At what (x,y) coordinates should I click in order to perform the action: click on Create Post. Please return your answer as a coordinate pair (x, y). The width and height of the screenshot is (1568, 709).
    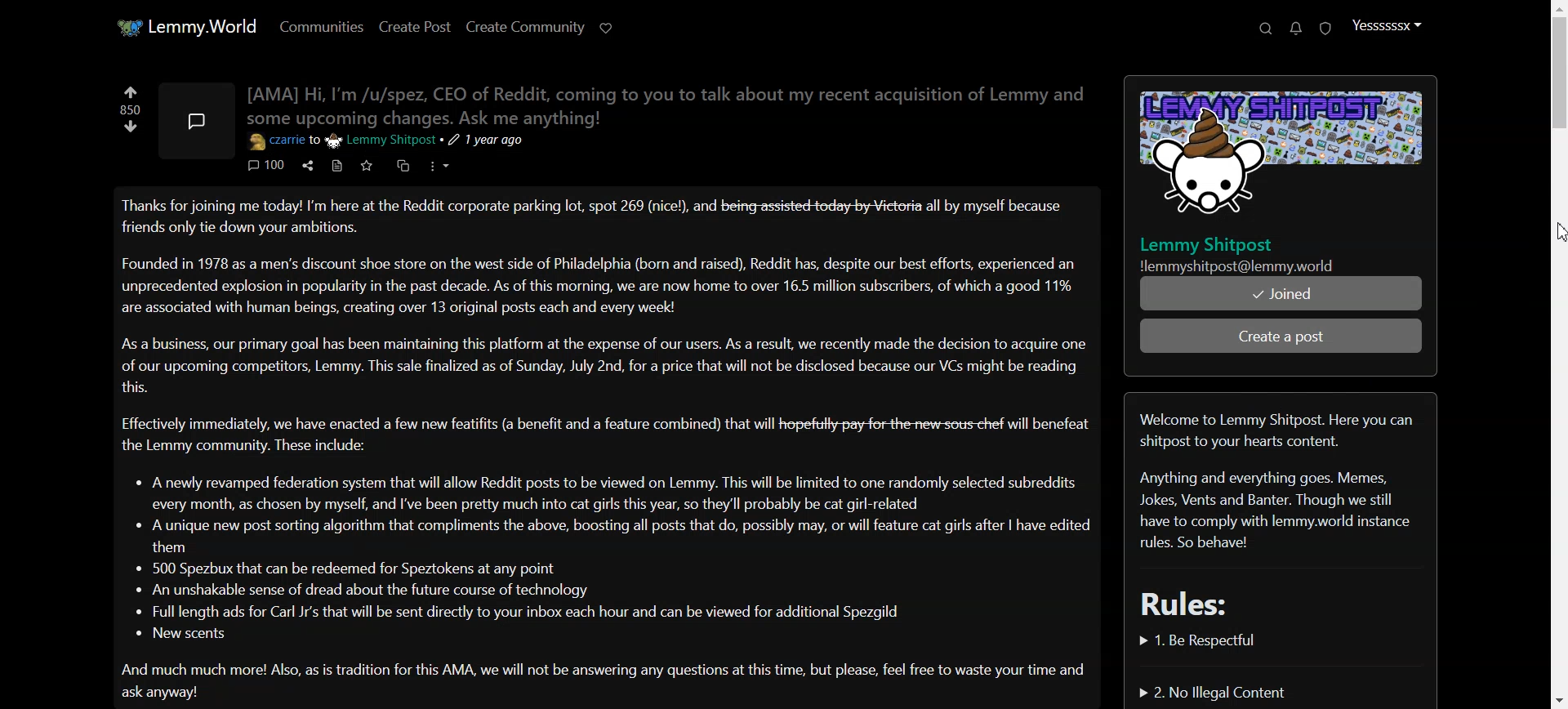
    Looking at the image, I should click on (415, 26).